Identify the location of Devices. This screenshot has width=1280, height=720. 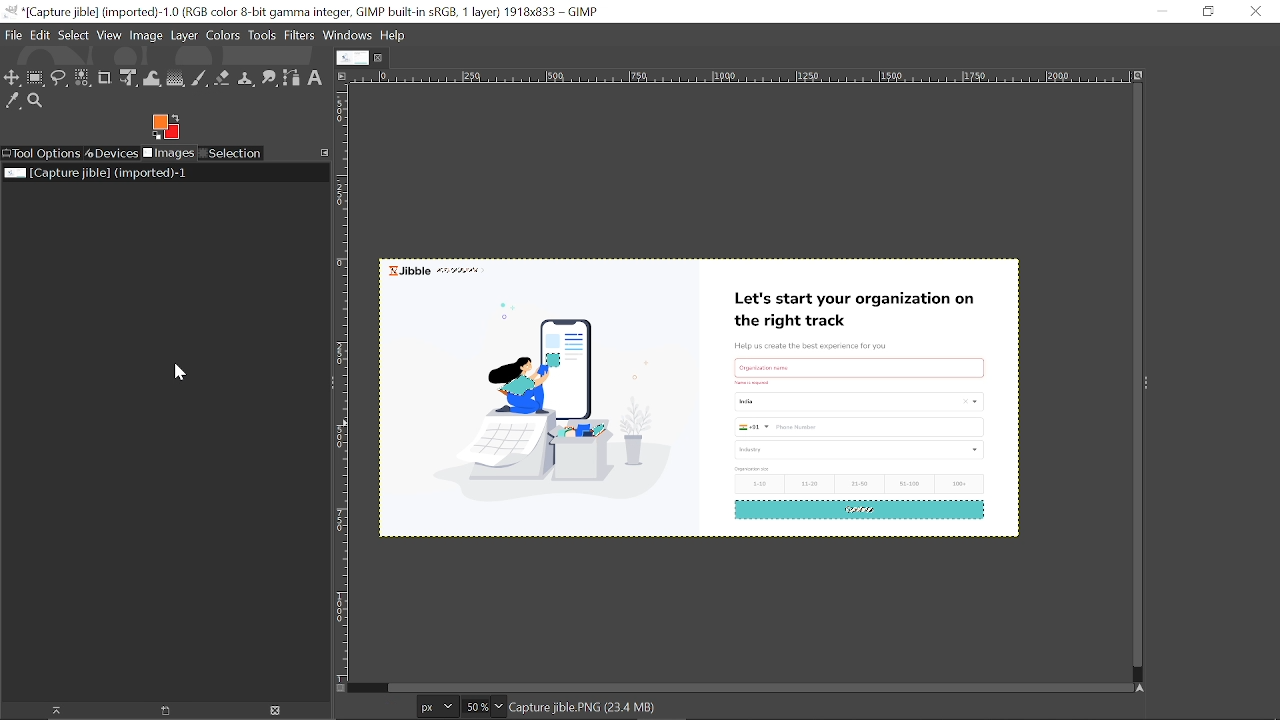
(111, 154).